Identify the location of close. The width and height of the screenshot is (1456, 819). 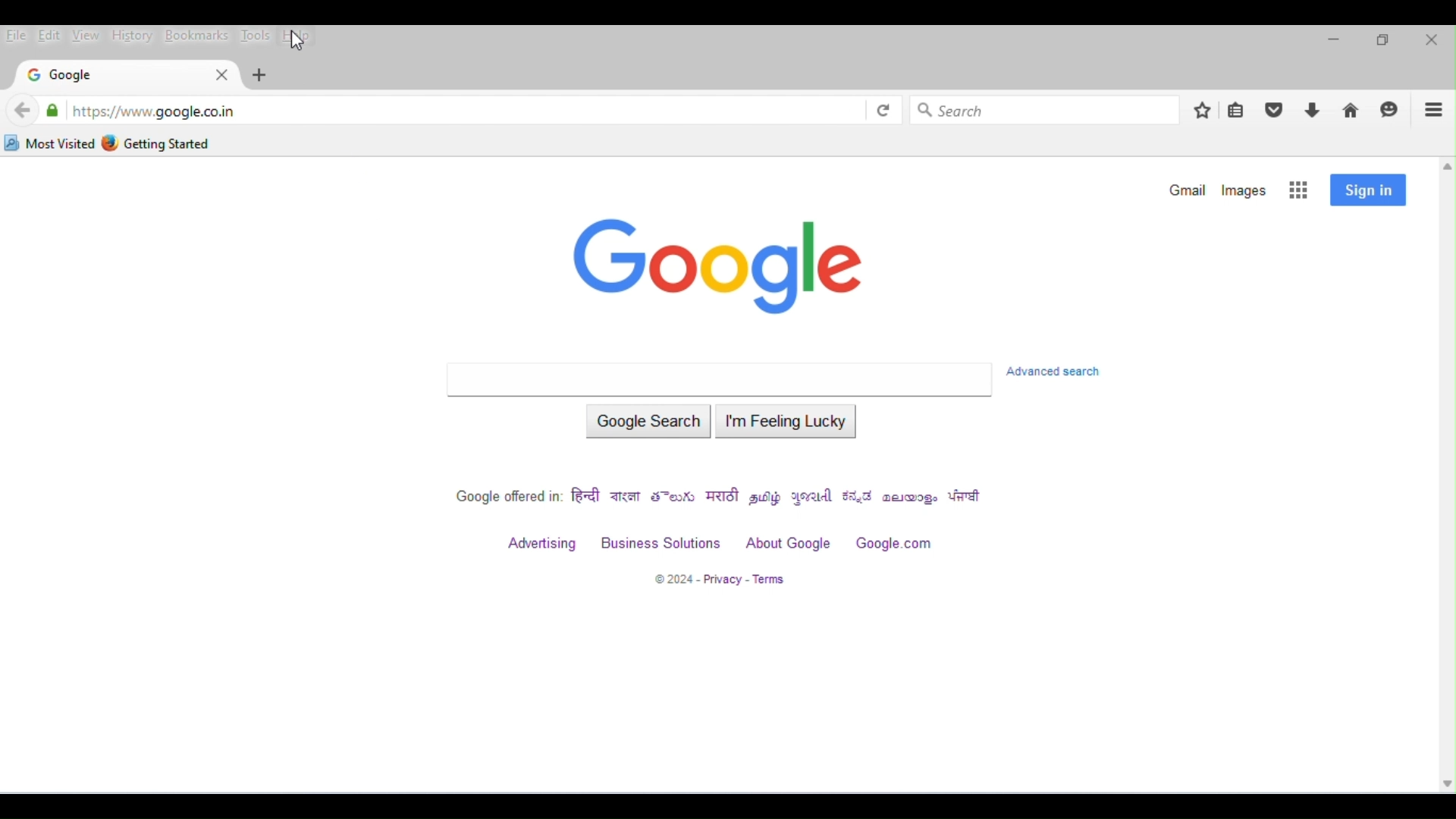
(1430, 40).